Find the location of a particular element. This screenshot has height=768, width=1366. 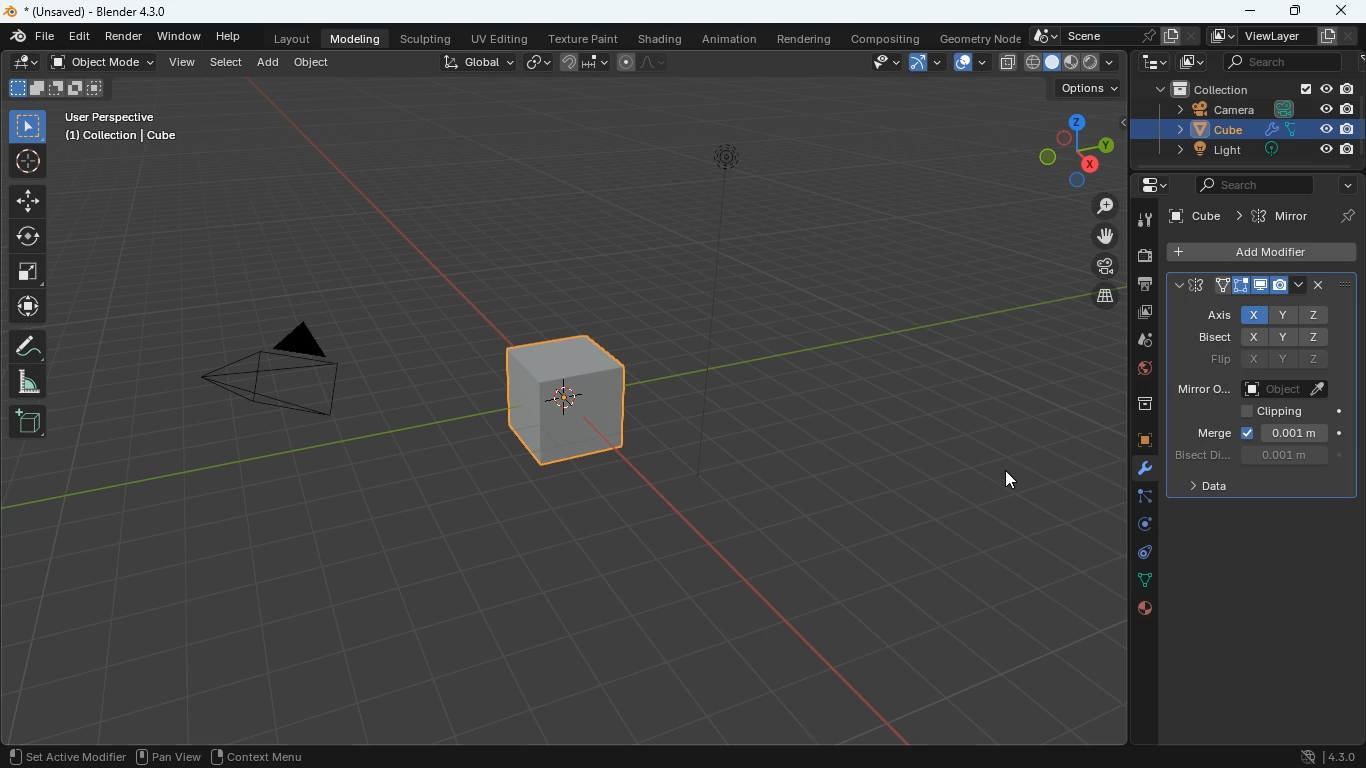

finder is located at coordinates (33, 38).